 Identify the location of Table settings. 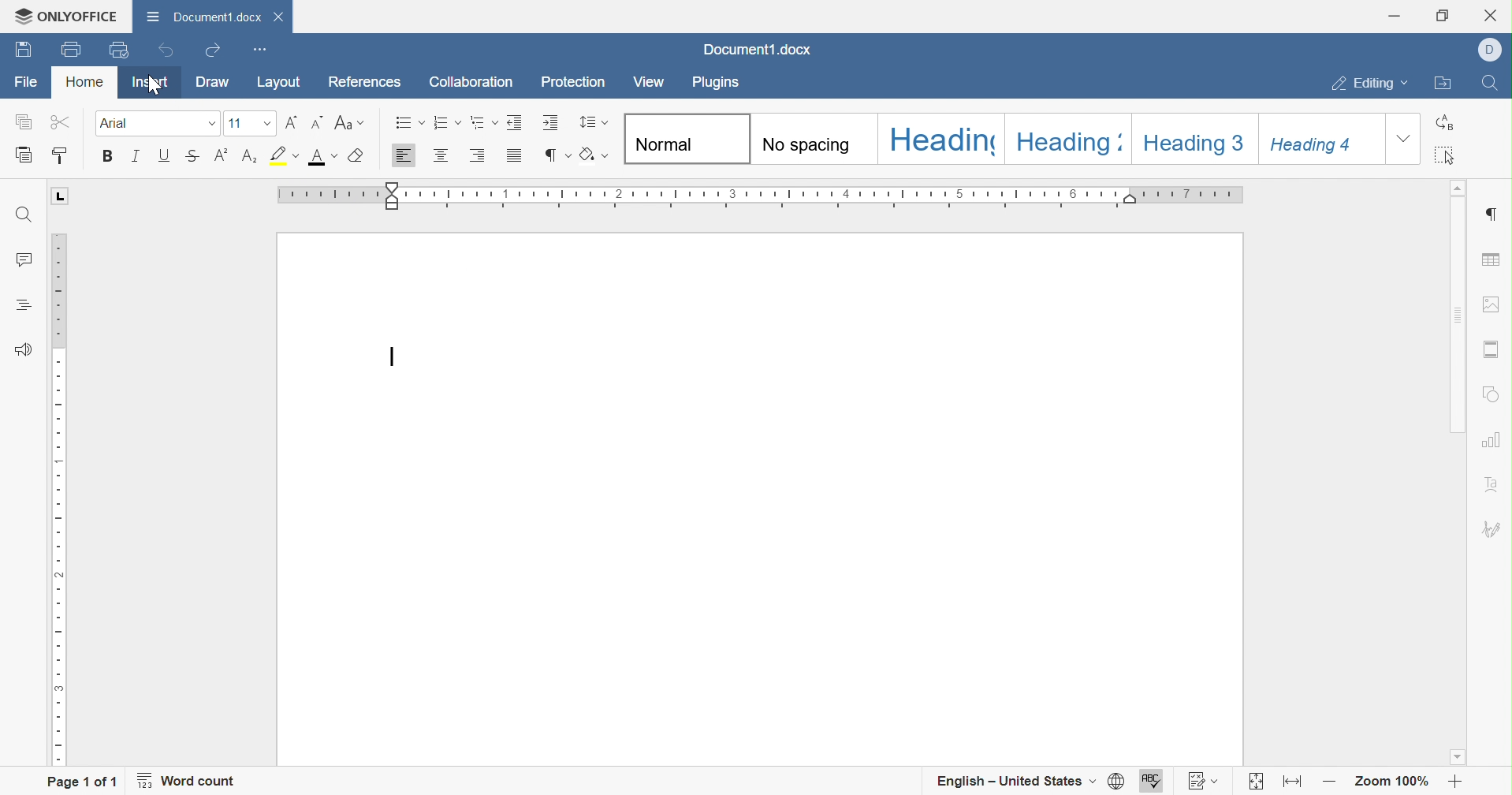
(1494, 259).